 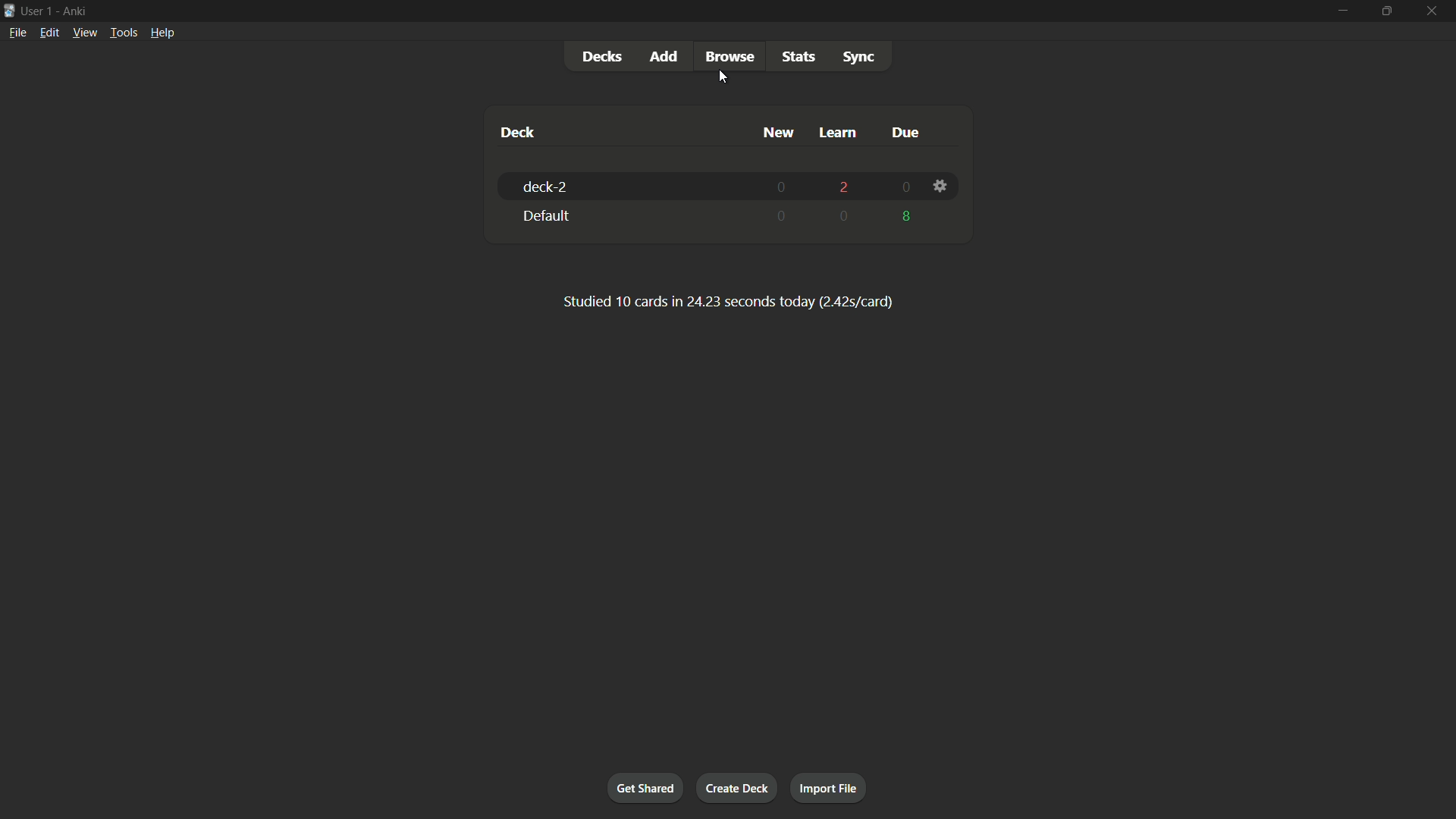 What do you see at coordinates (603, 57) in the screenshot?
I see `Decks` at bounding box center [603, 57].